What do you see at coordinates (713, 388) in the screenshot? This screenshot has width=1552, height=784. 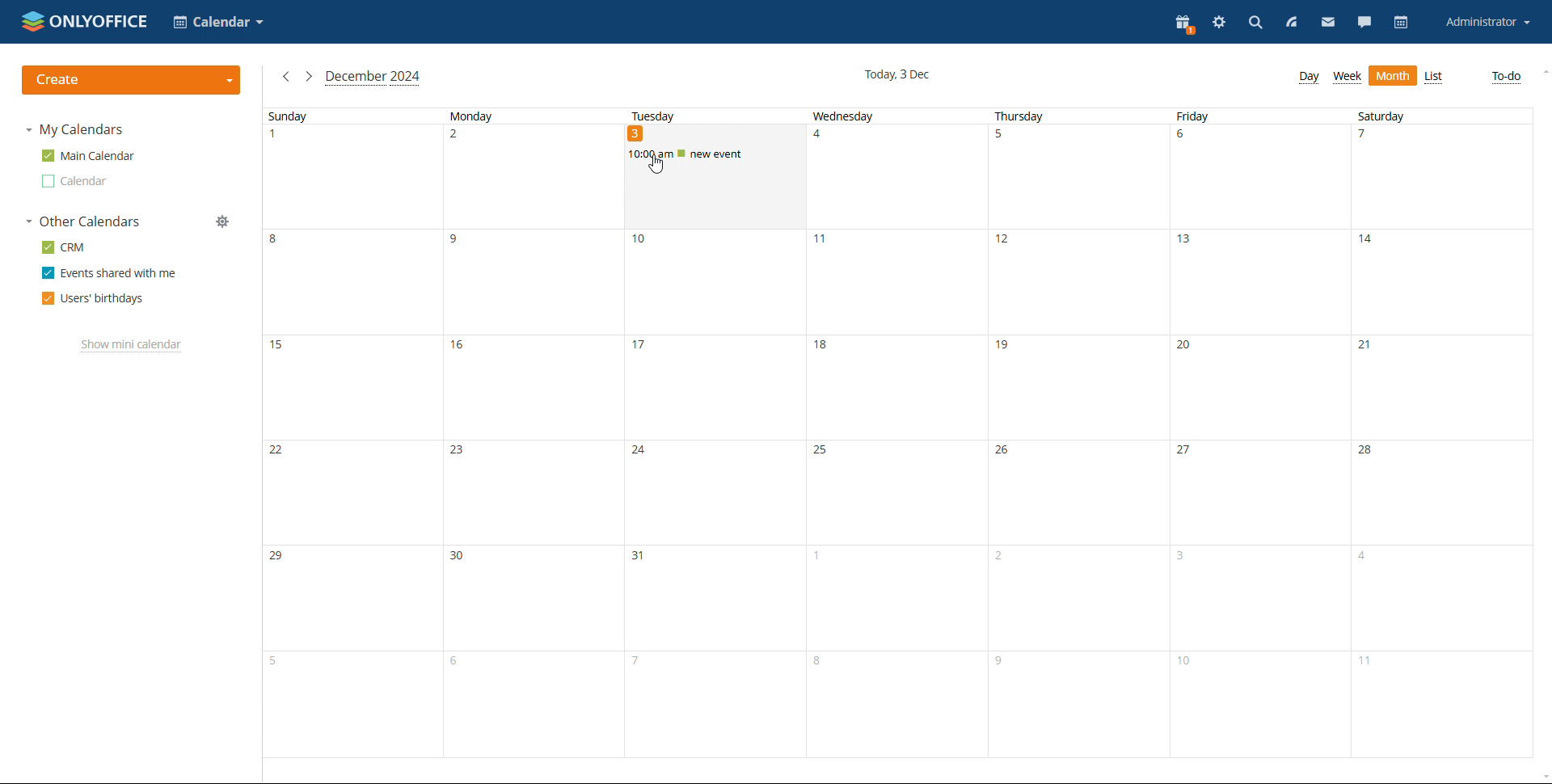 I see `17` at bounding box center [713, 388].